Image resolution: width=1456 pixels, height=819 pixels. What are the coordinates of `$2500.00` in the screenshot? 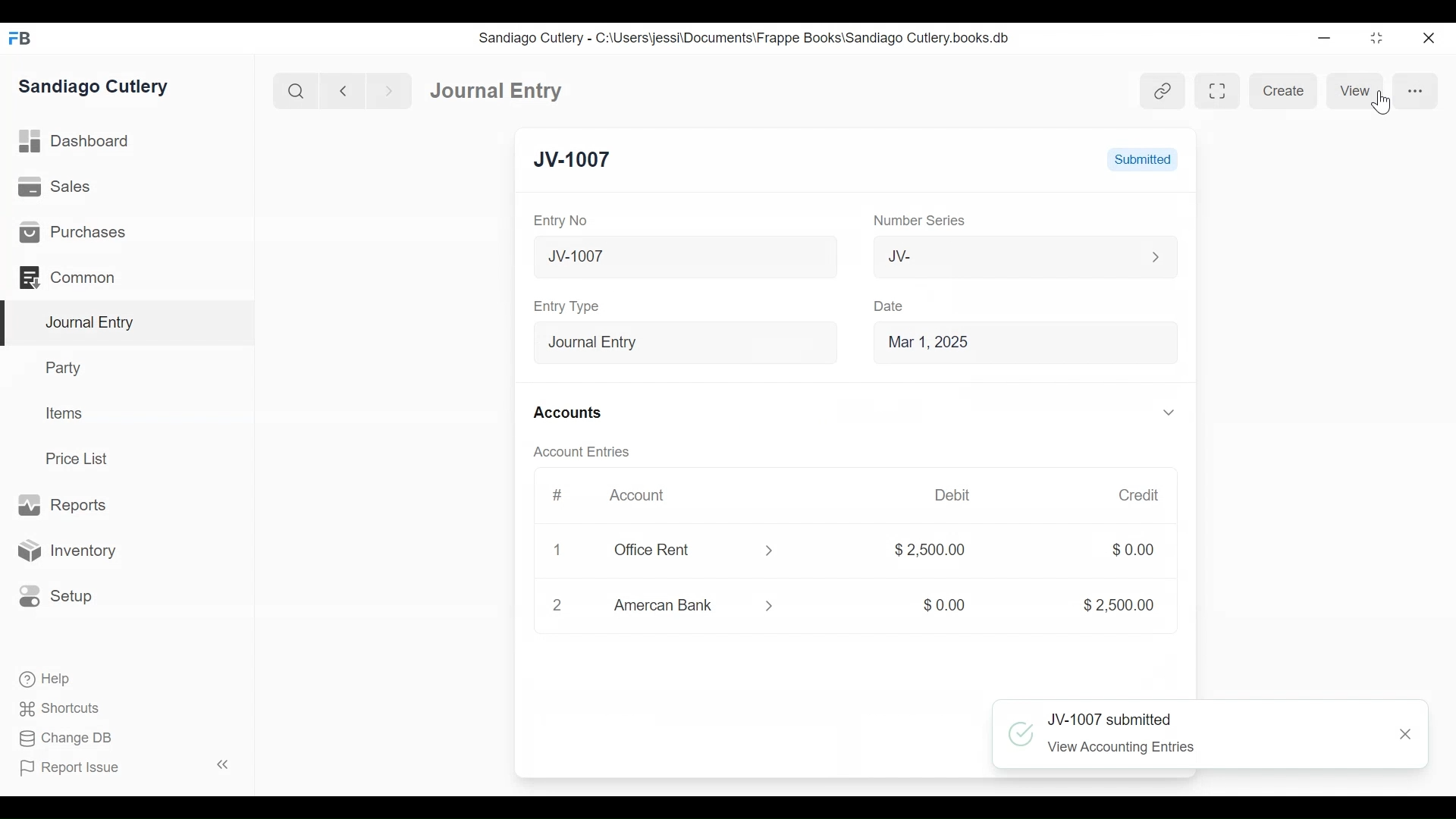 It's located at (924, 552).